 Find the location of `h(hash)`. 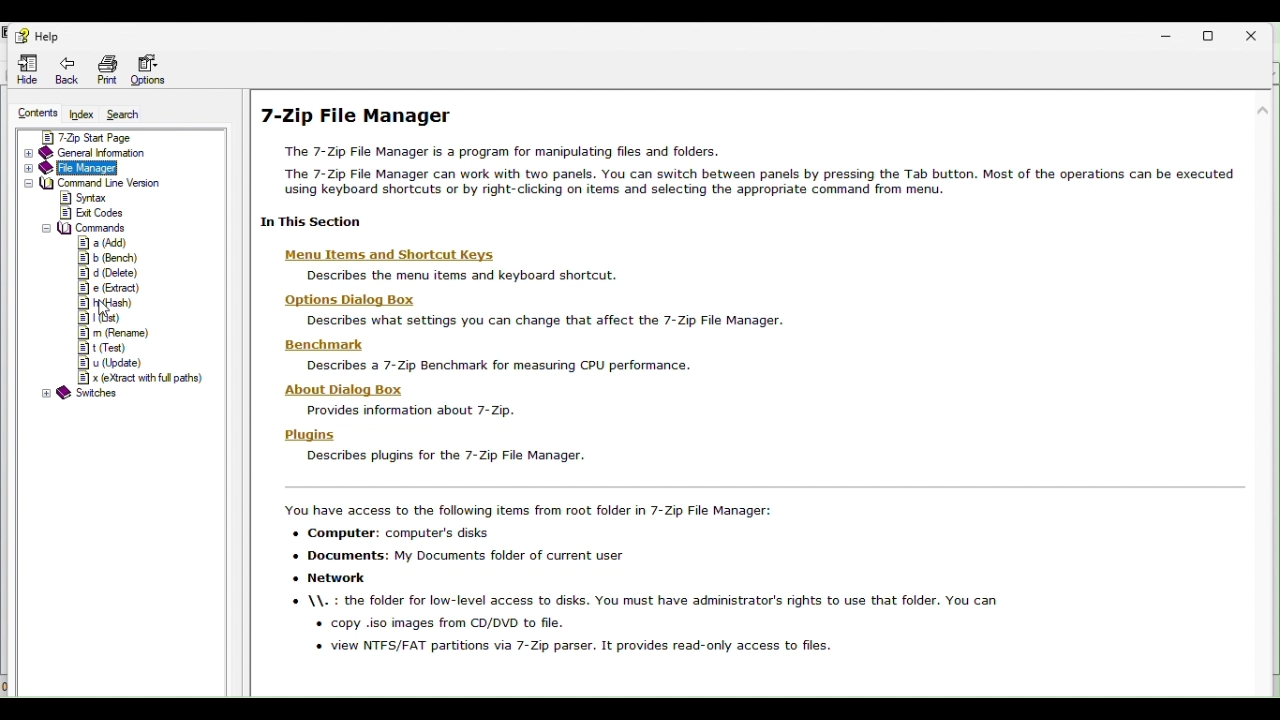

h(hash) is located at coordinates (108, 303).